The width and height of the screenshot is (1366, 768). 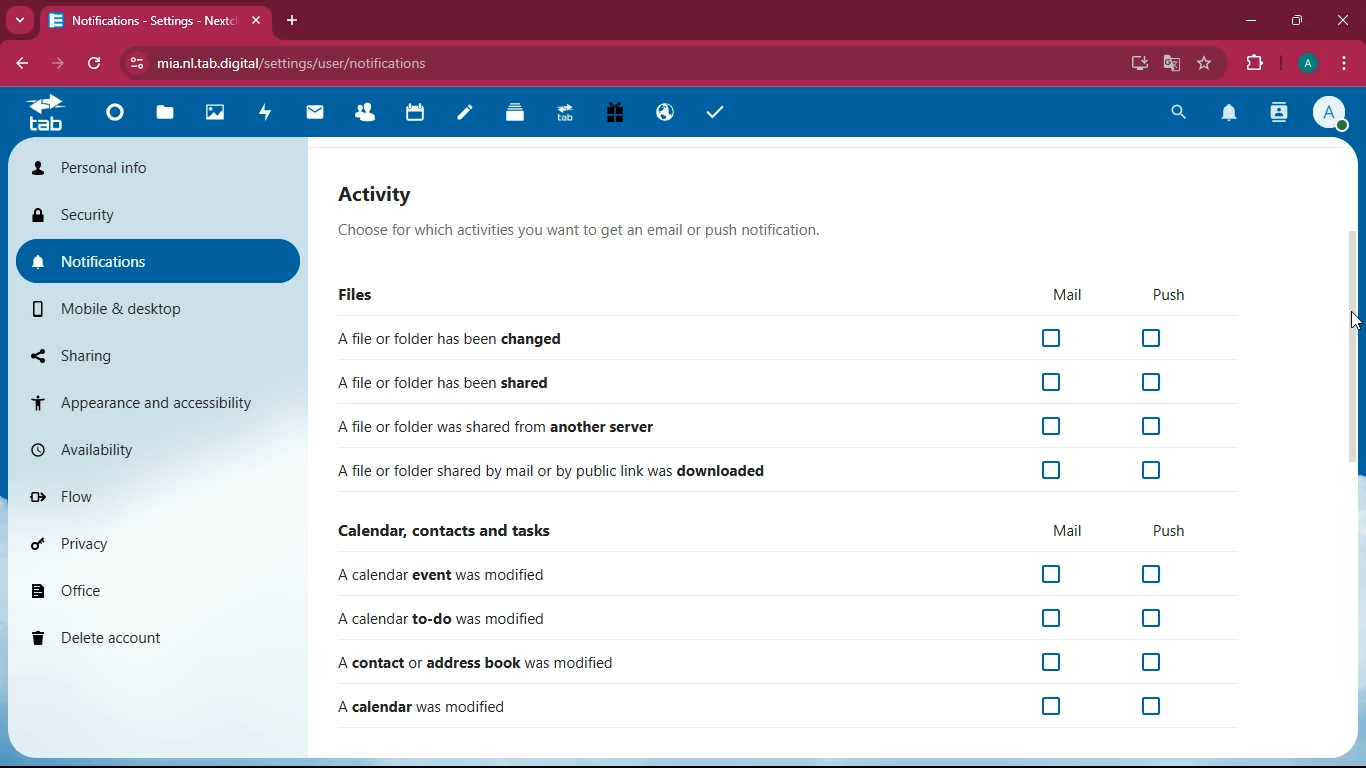 What do you see at coordinates (1177, 114) in the screenshot?
I see `search` at bounding box center [1177, 114].